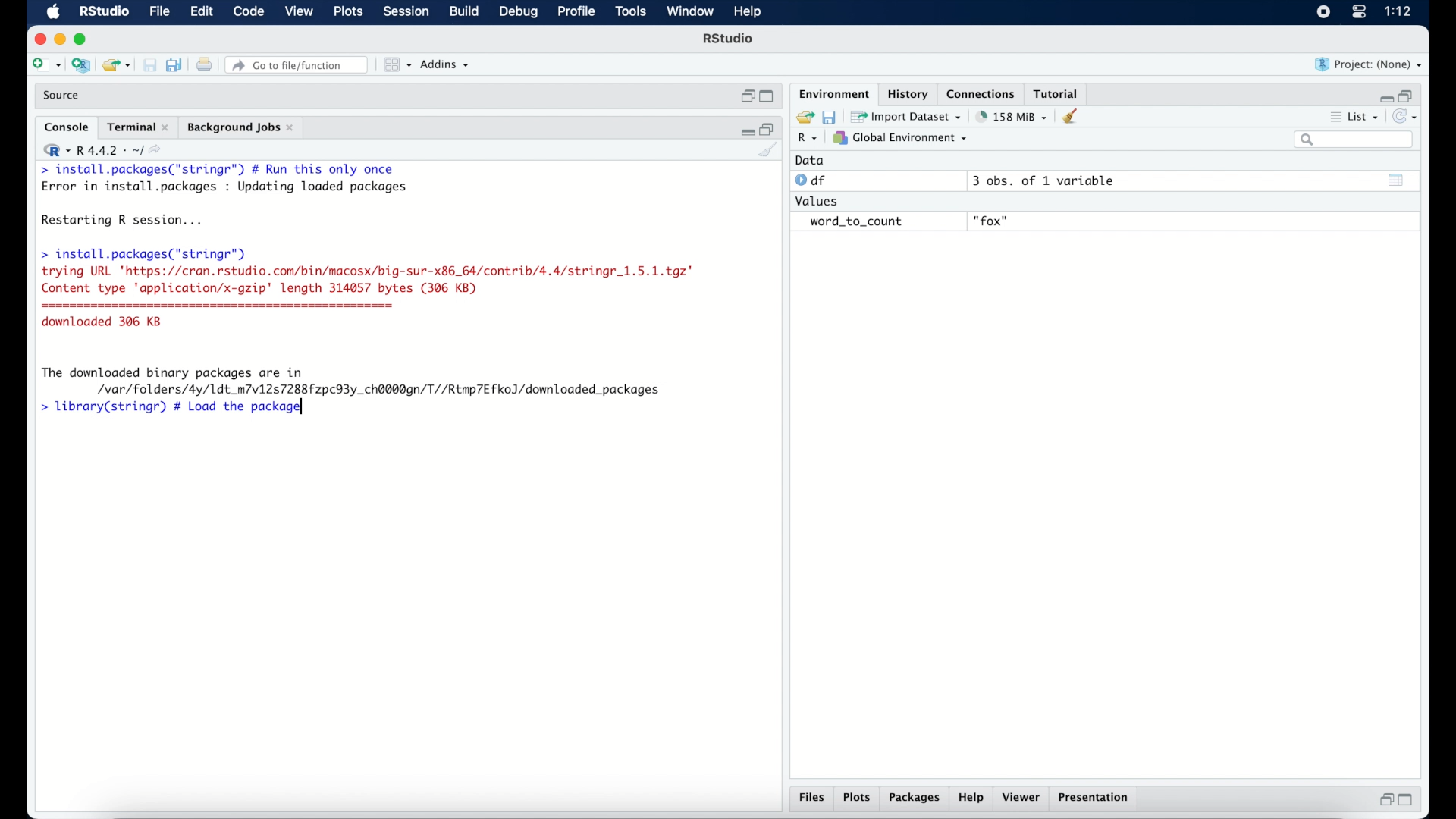 The image size is (1456, 819). I want to click on macOS, so click(53, 12).